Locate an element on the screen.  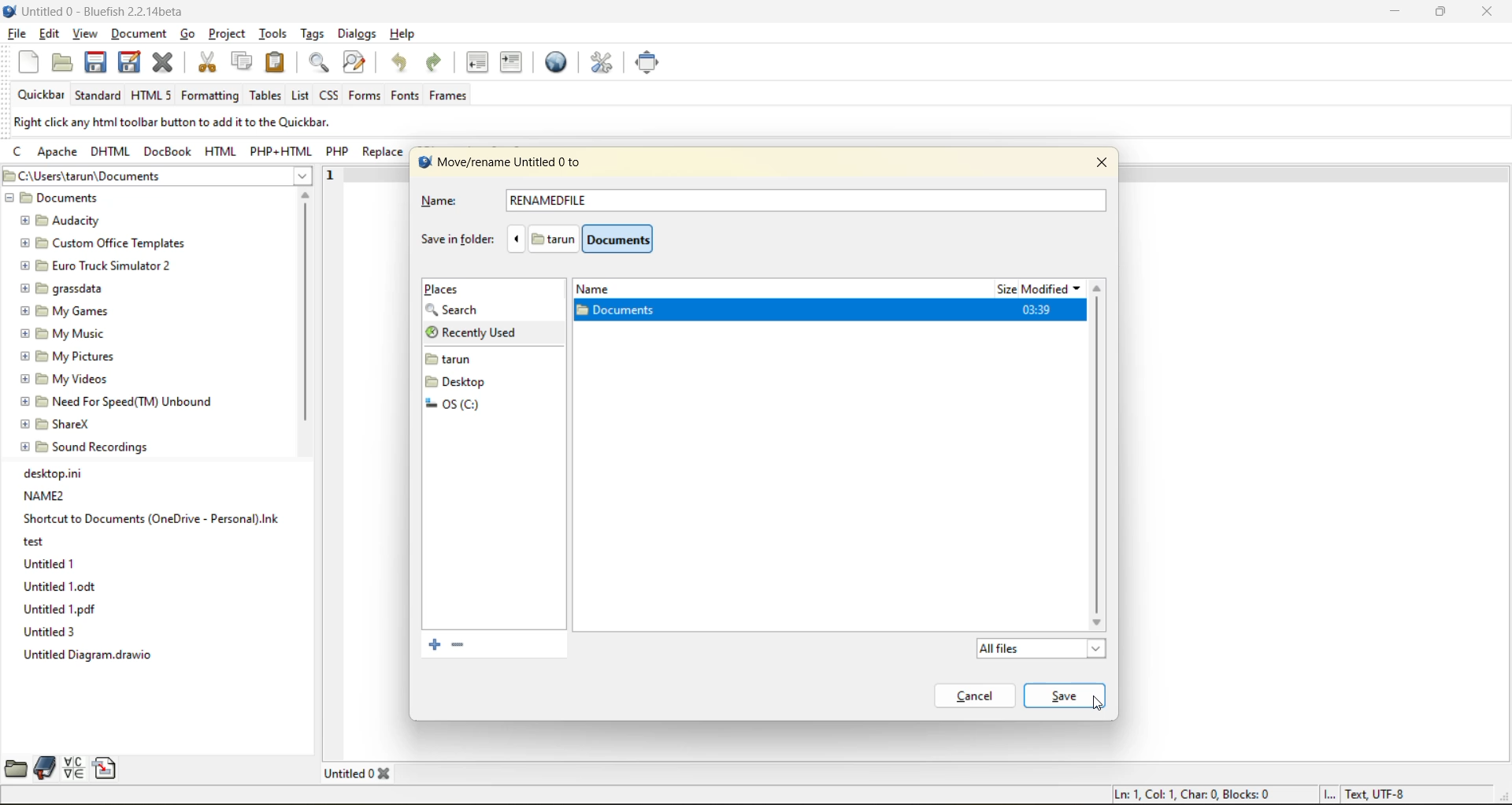
apache is located at coordinates (61, 153).